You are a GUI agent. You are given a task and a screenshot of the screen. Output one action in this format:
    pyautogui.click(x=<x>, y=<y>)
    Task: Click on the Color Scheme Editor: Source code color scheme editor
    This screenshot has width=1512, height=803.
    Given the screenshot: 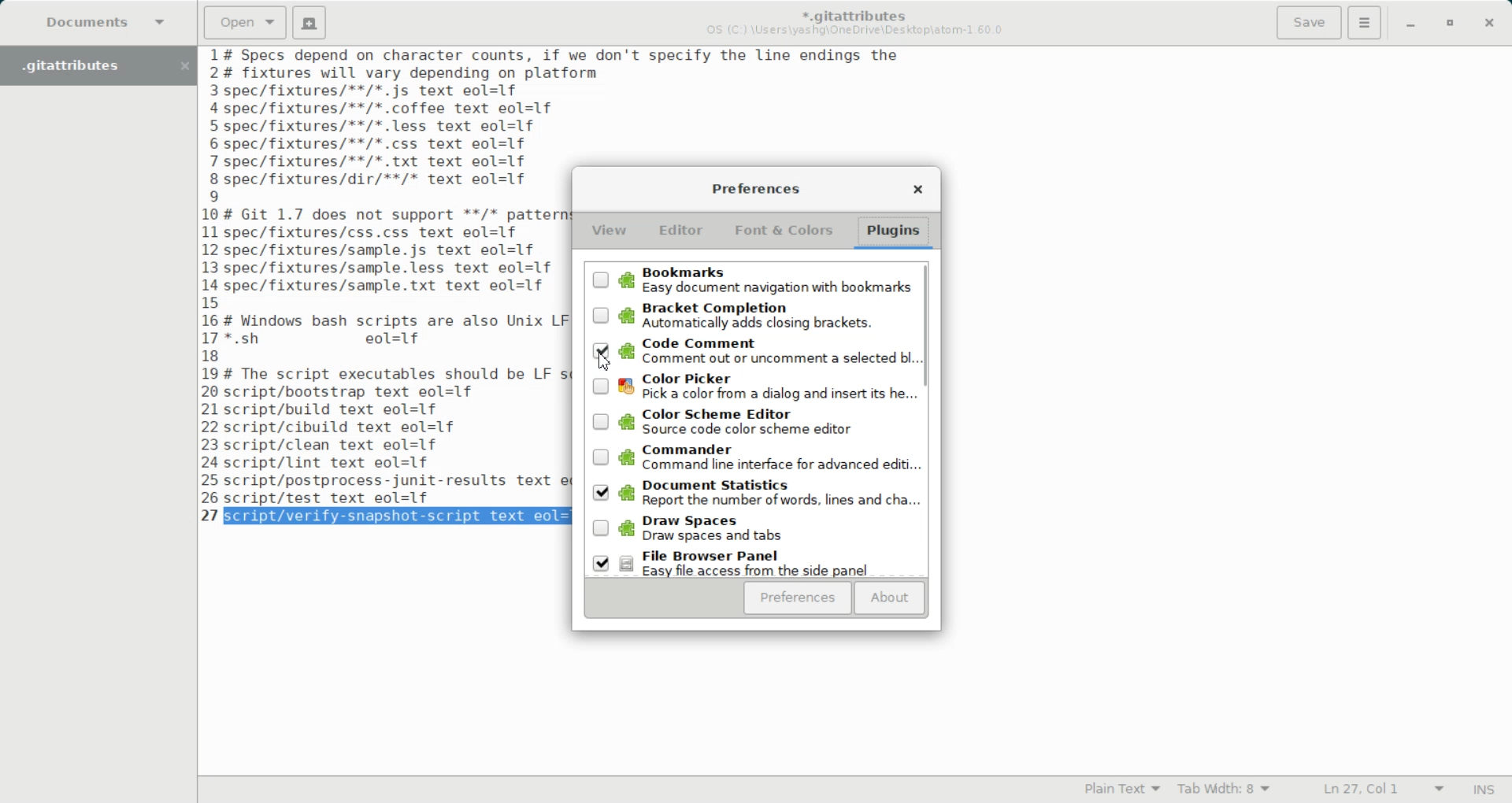 What is the action you would take?
    pyautogui.click(x=750, y=423)
    